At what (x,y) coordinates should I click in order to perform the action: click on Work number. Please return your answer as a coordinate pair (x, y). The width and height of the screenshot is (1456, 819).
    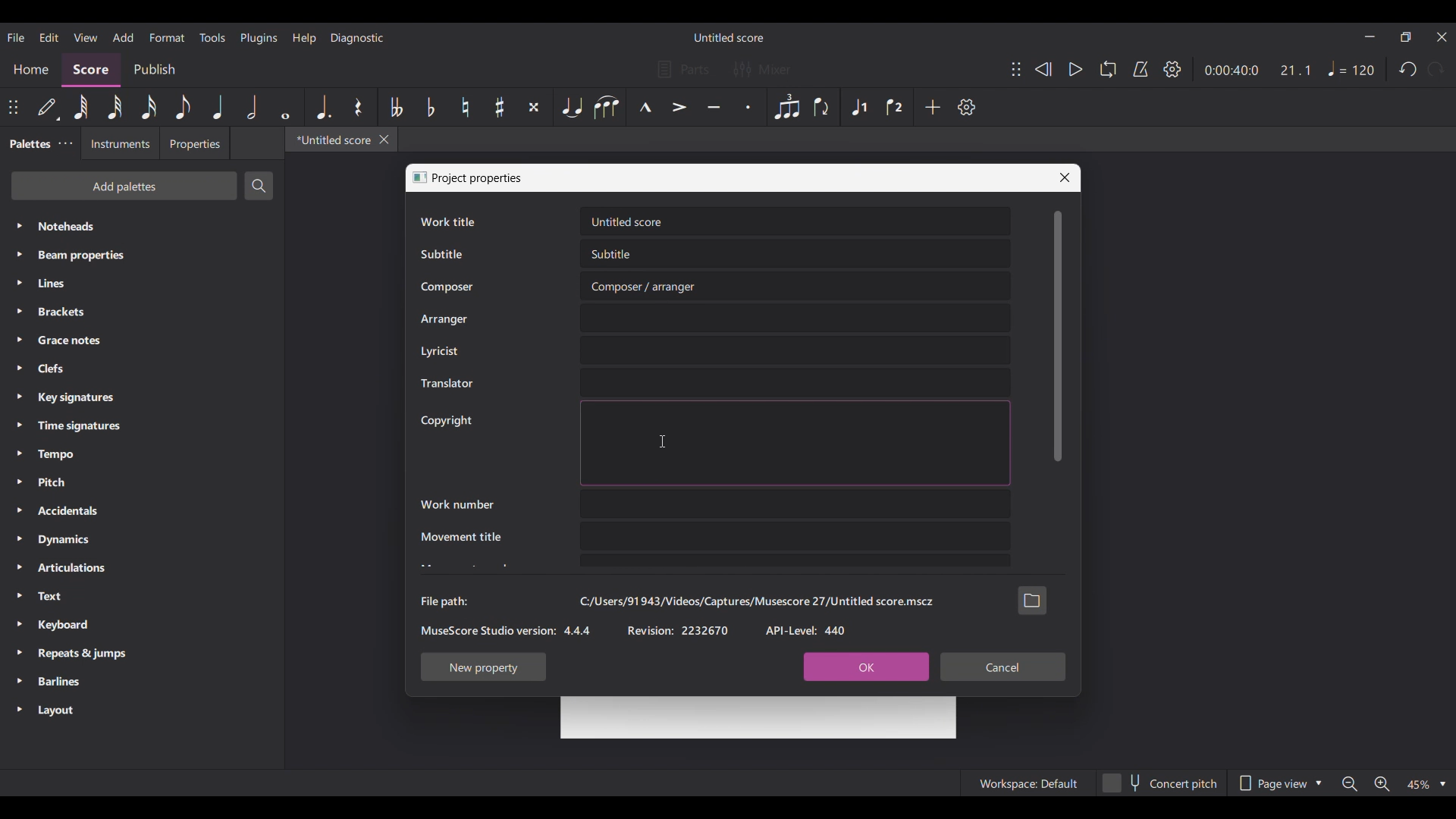
    Looking at the image, I should click on (457, 504).